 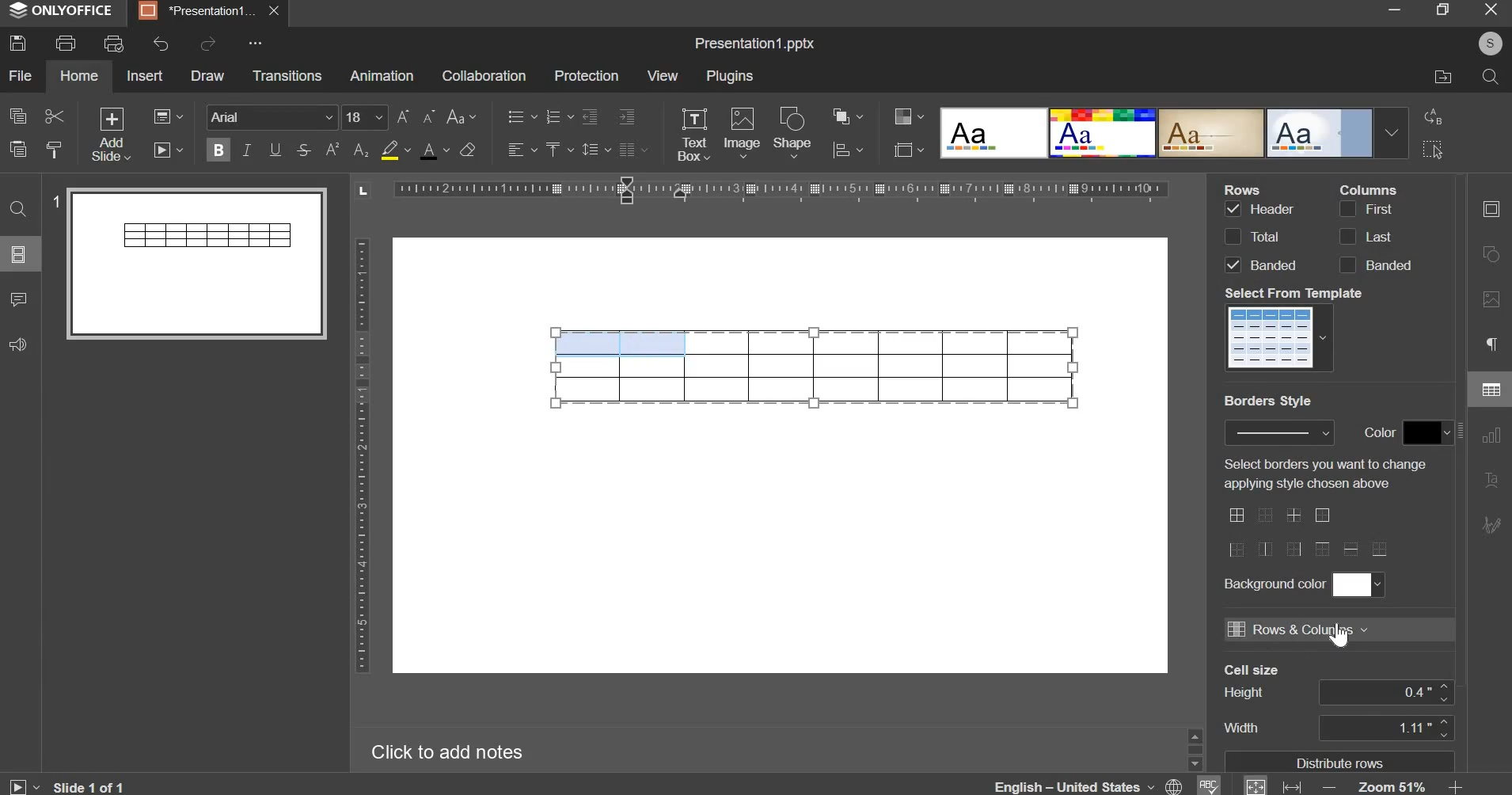 What do you see at coordinates (1489, 77) in the screenshot?
I see `search` at bounding box center [1489, 77].